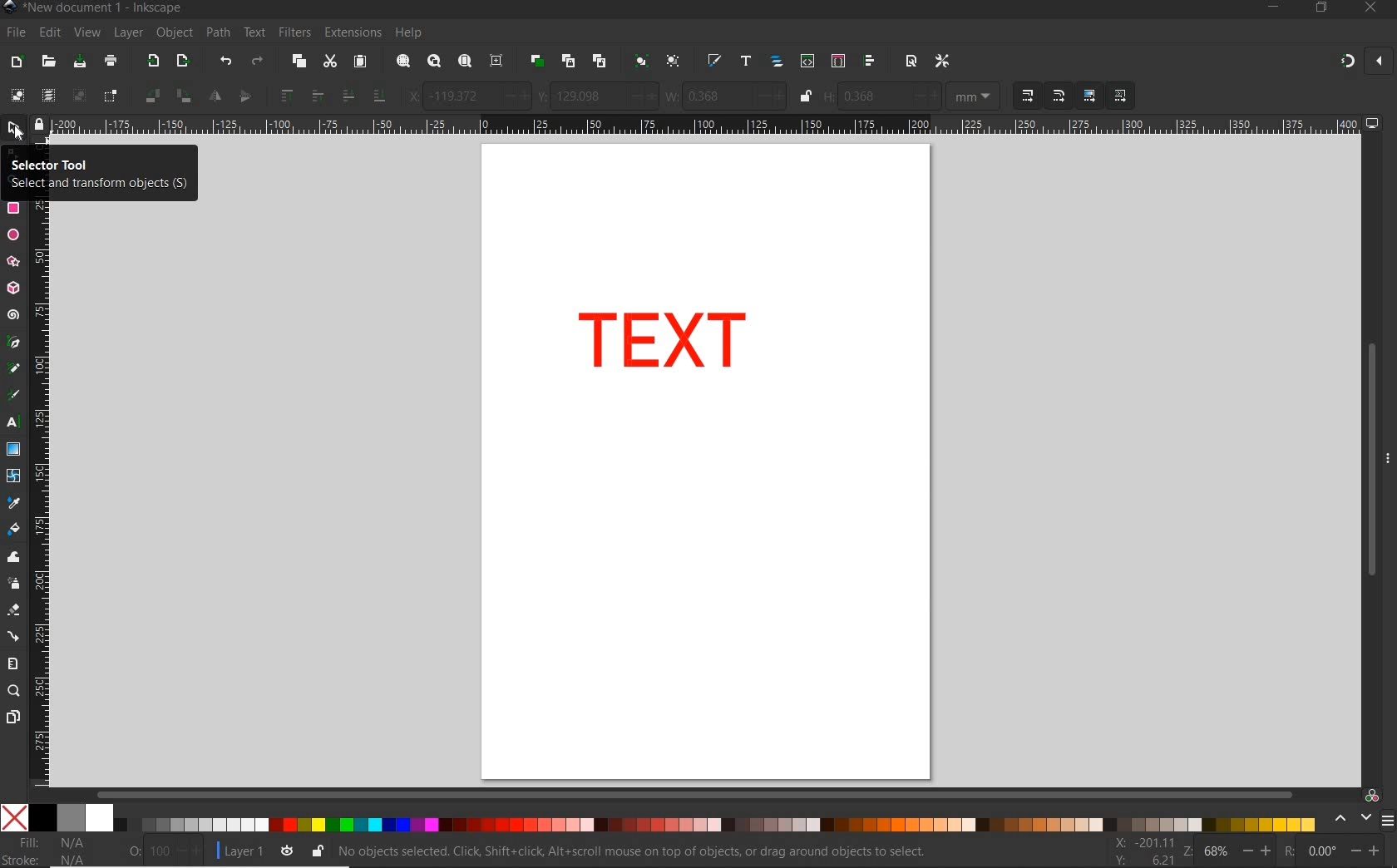  What do you see at coordinates (129, 32) in the screenshot?
I see `LAYER` at bounding box center [129, 32].